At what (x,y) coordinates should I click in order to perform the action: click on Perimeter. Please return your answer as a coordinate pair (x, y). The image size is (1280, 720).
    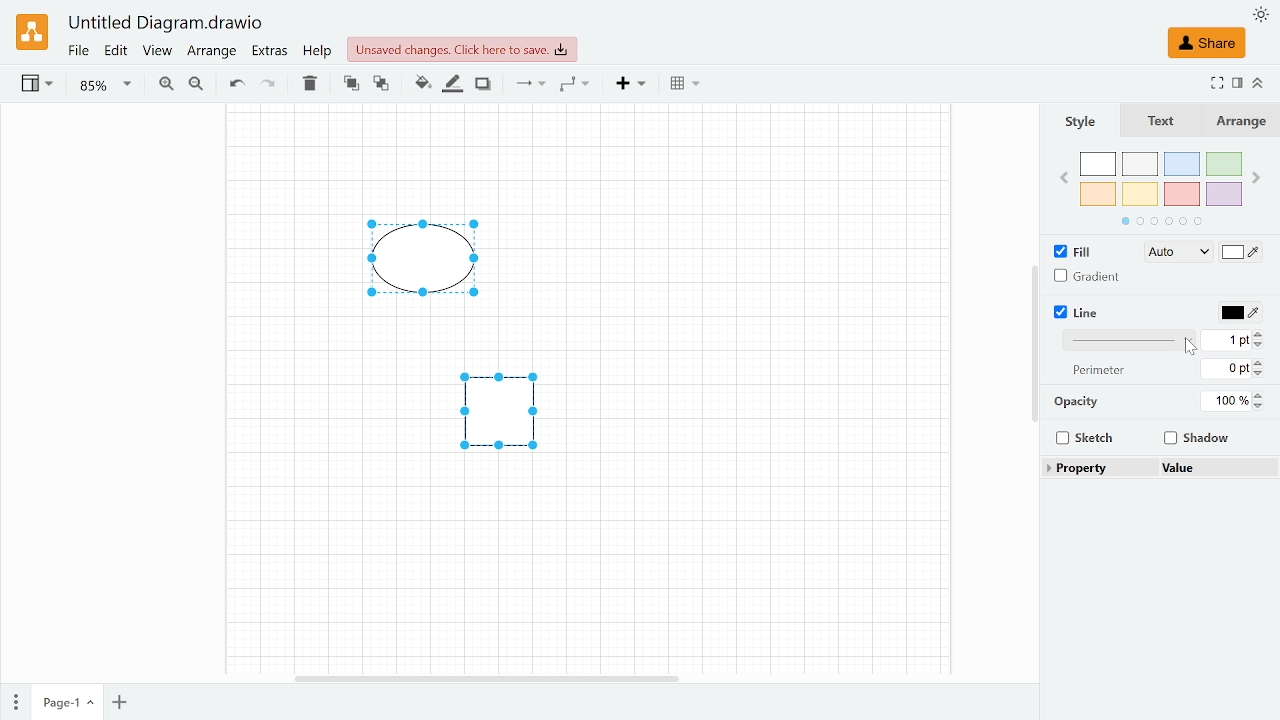
    Looking at the image, I should click on (1223, 370).